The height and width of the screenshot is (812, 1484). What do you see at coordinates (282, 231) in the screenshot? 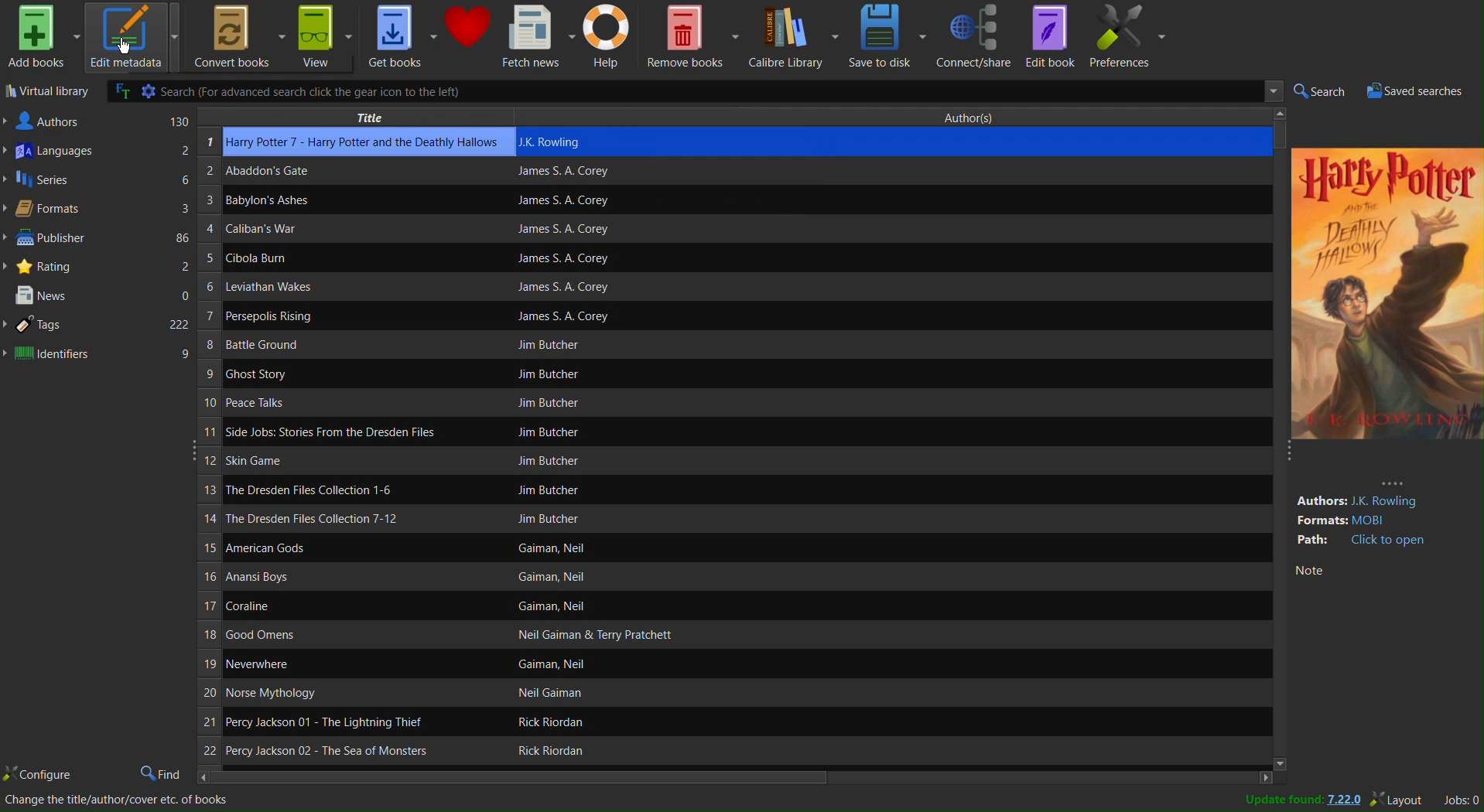
I see `Book name` at bounding box center [282, 231].